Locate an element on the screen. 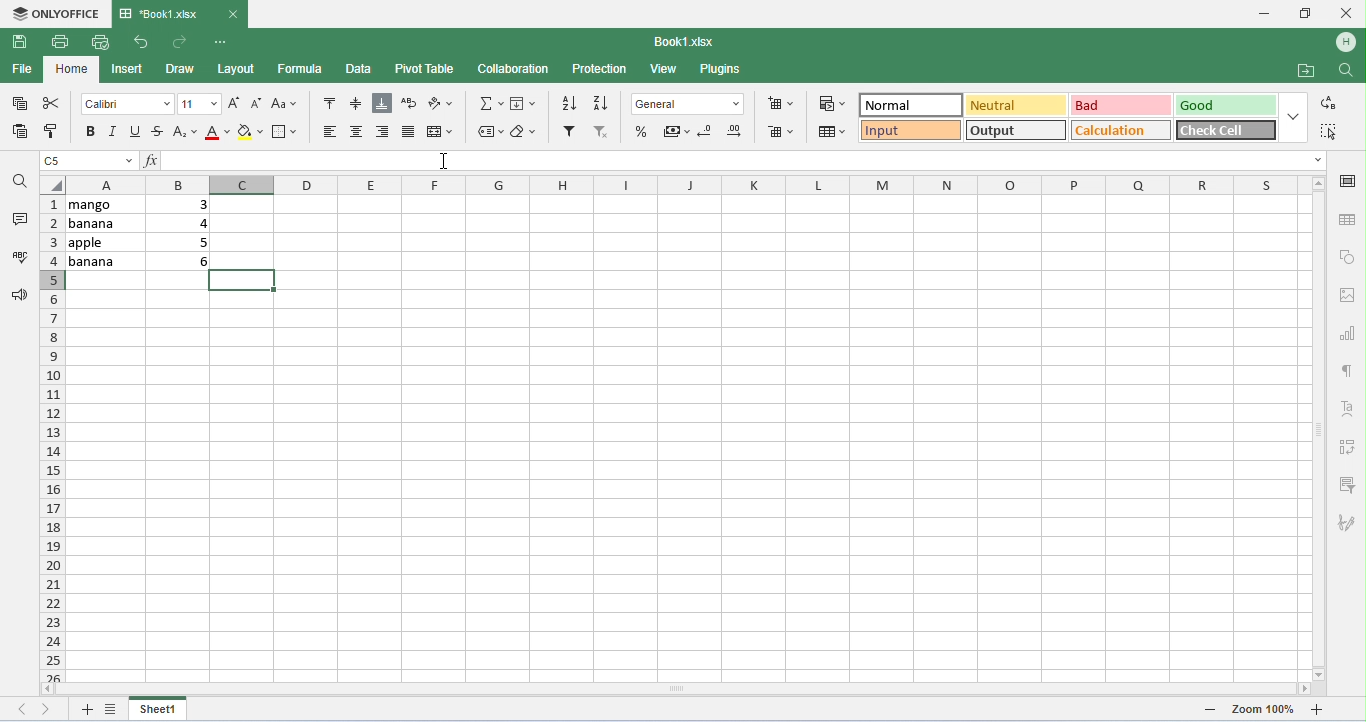 The width and height of the screenshot is (1366, 722). plugins is located at coordinates (722, 70).